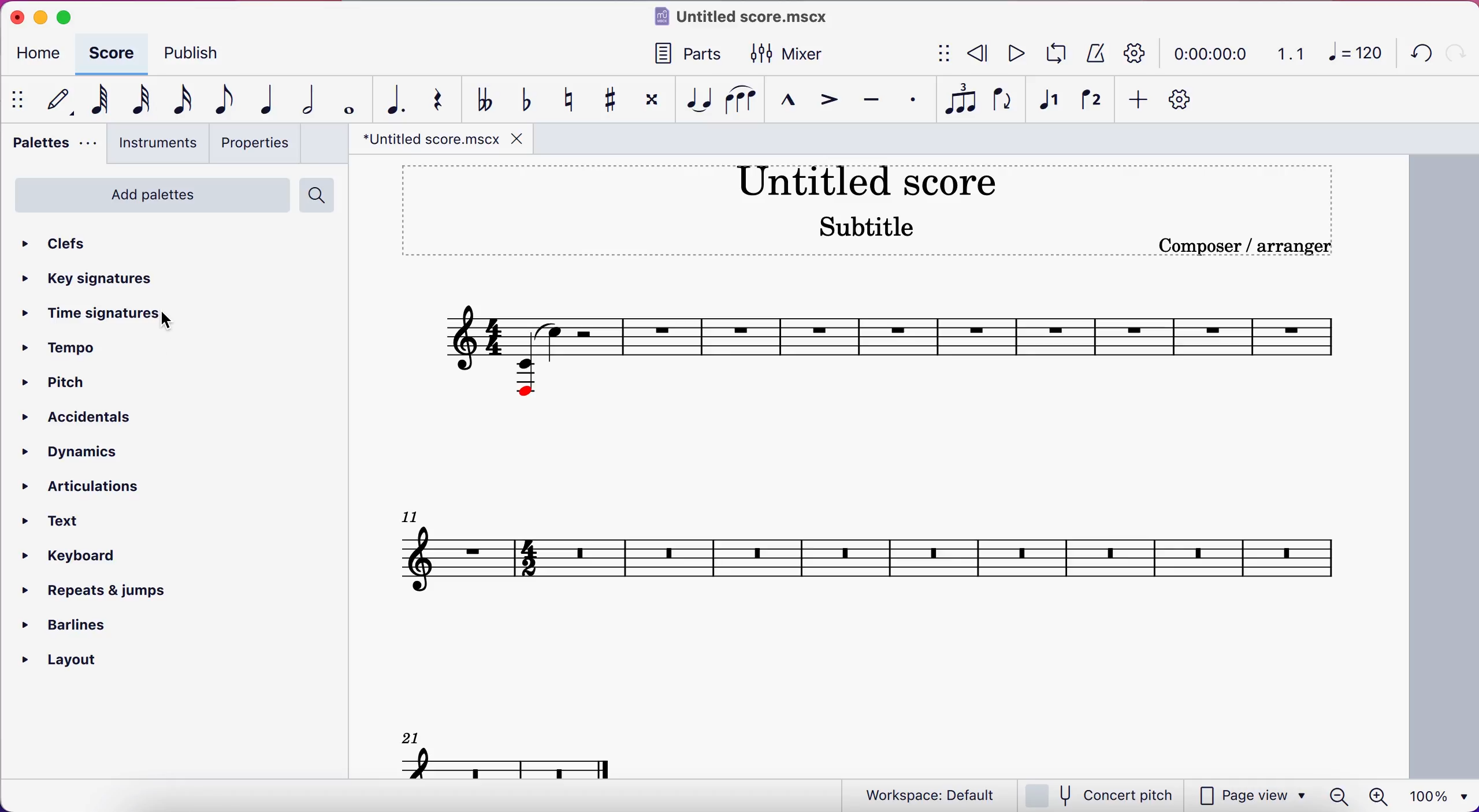 Image resolution: width=1479 pixels, height=812 pixels. Describe the element at coordinates (172, 322) in the screenshot. I see `cursor` at that location.